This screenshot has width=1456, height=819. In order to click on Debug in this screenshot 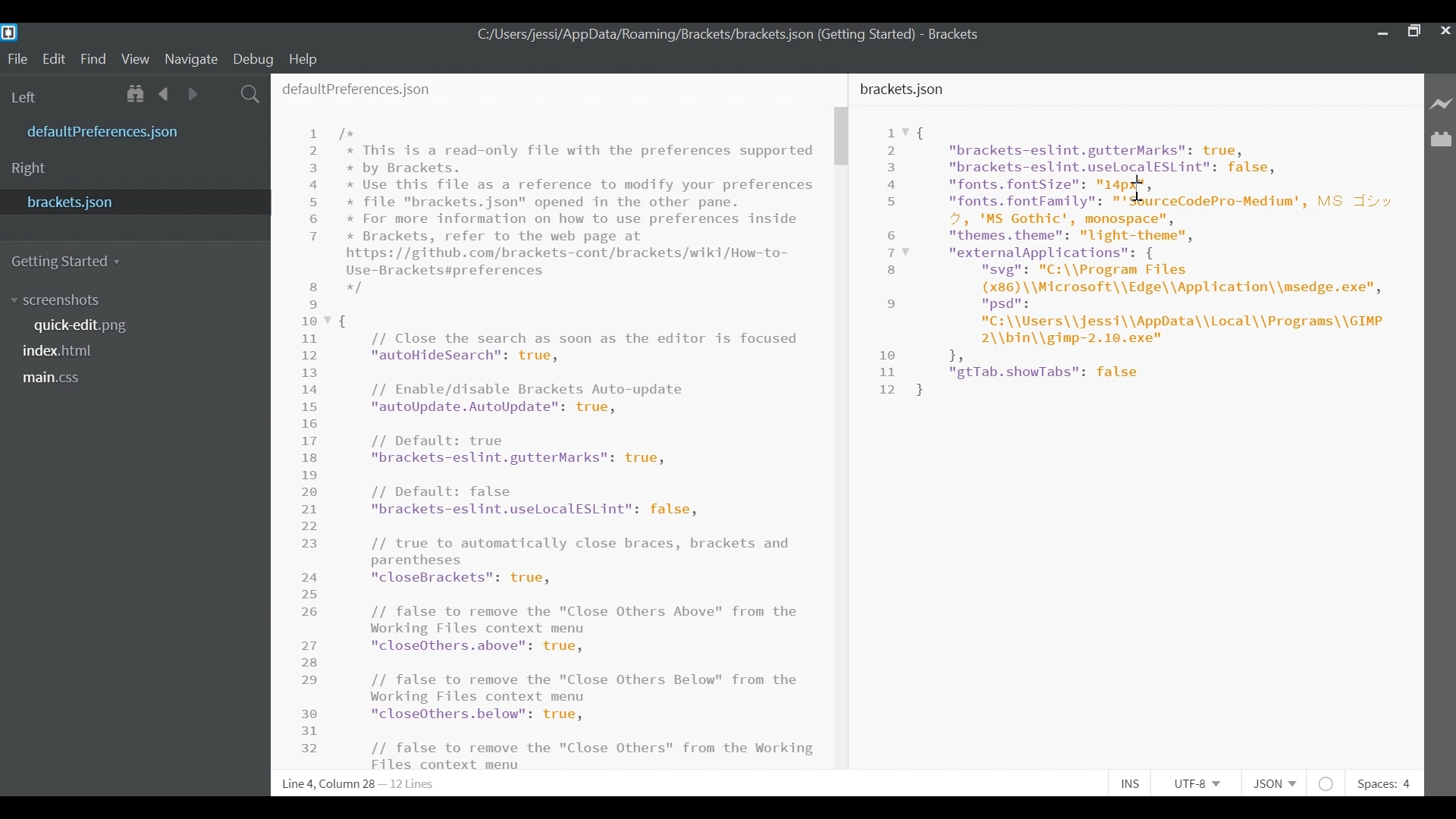, I will do `click(252, 58)`.